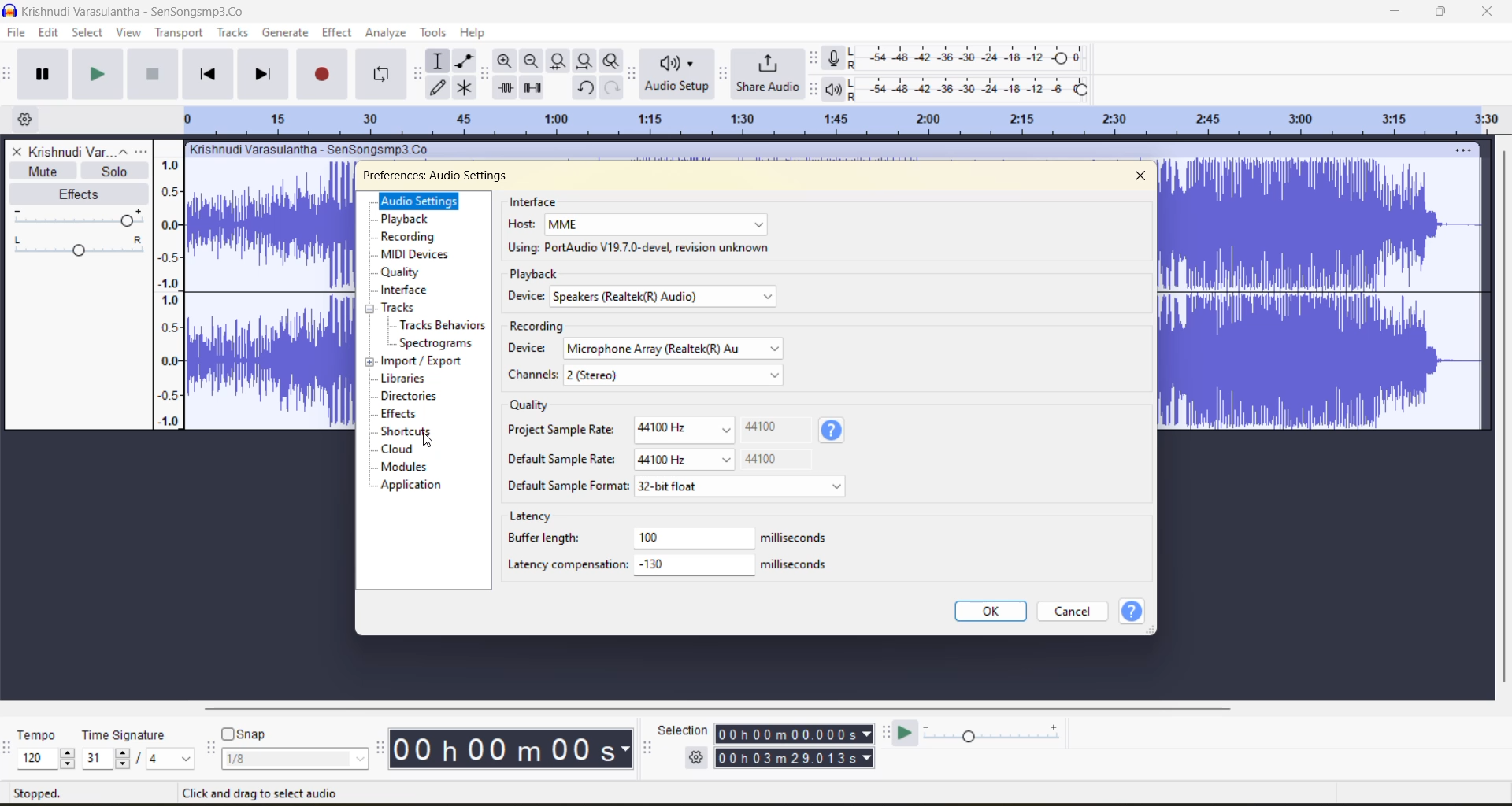  What do you see at coordinates (424, 202) in the screenshot?
I see `audio settings` at bounding box center [424, 202].